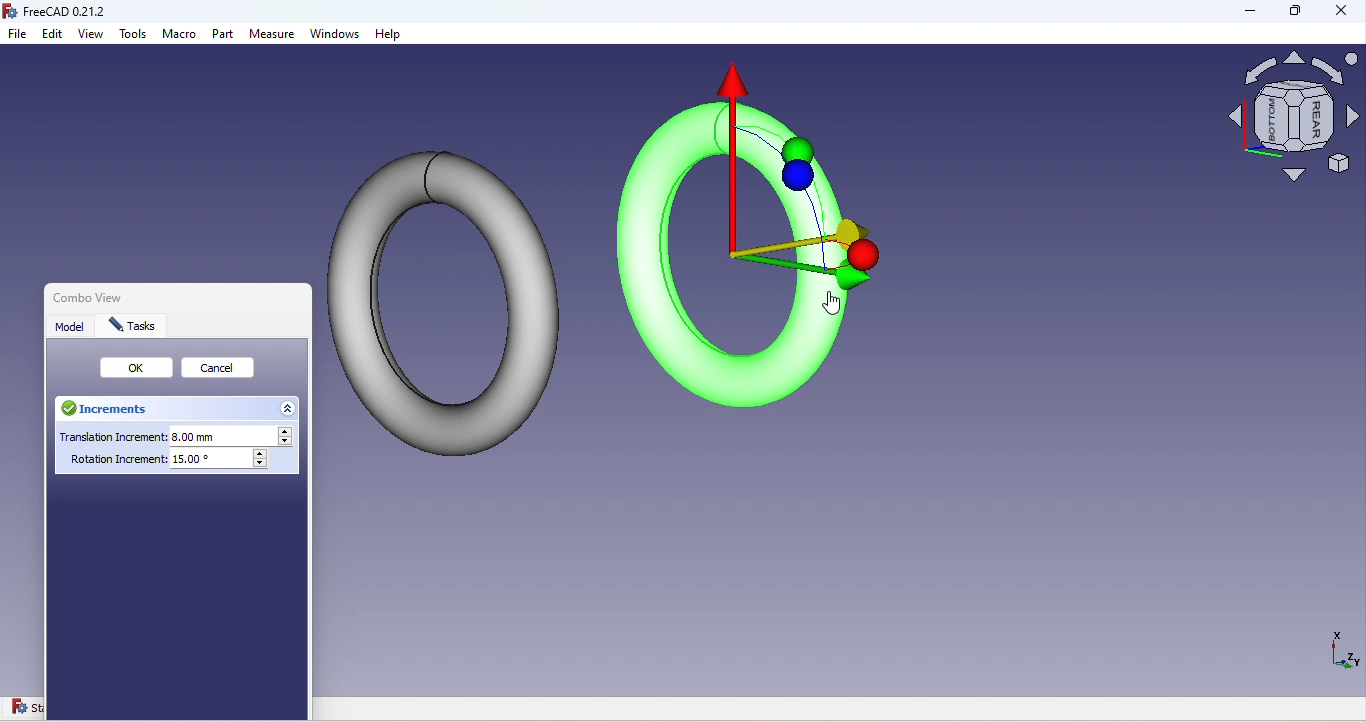 The image size is (1366, 722). I want to click on Decrease rotation increment, so click(262, 464).